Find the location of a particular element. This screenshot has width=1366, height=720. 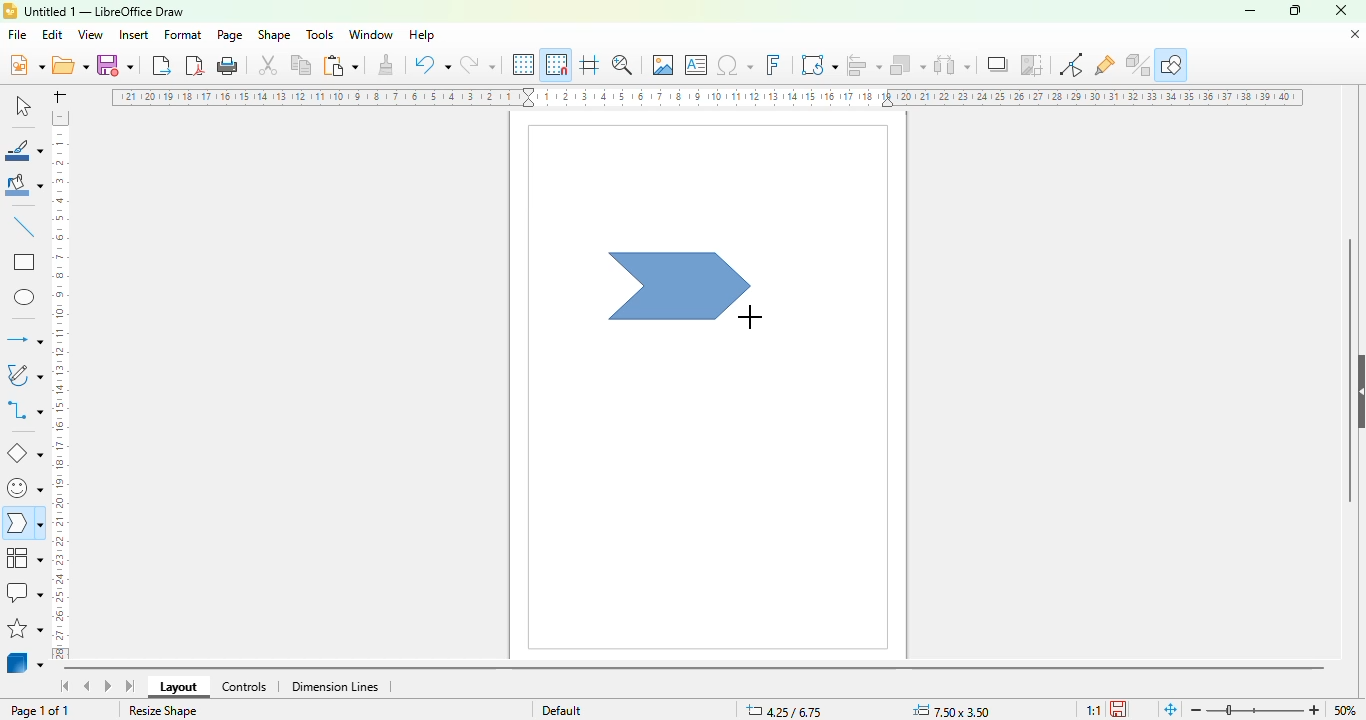

export is located at coordinates (163, 65).